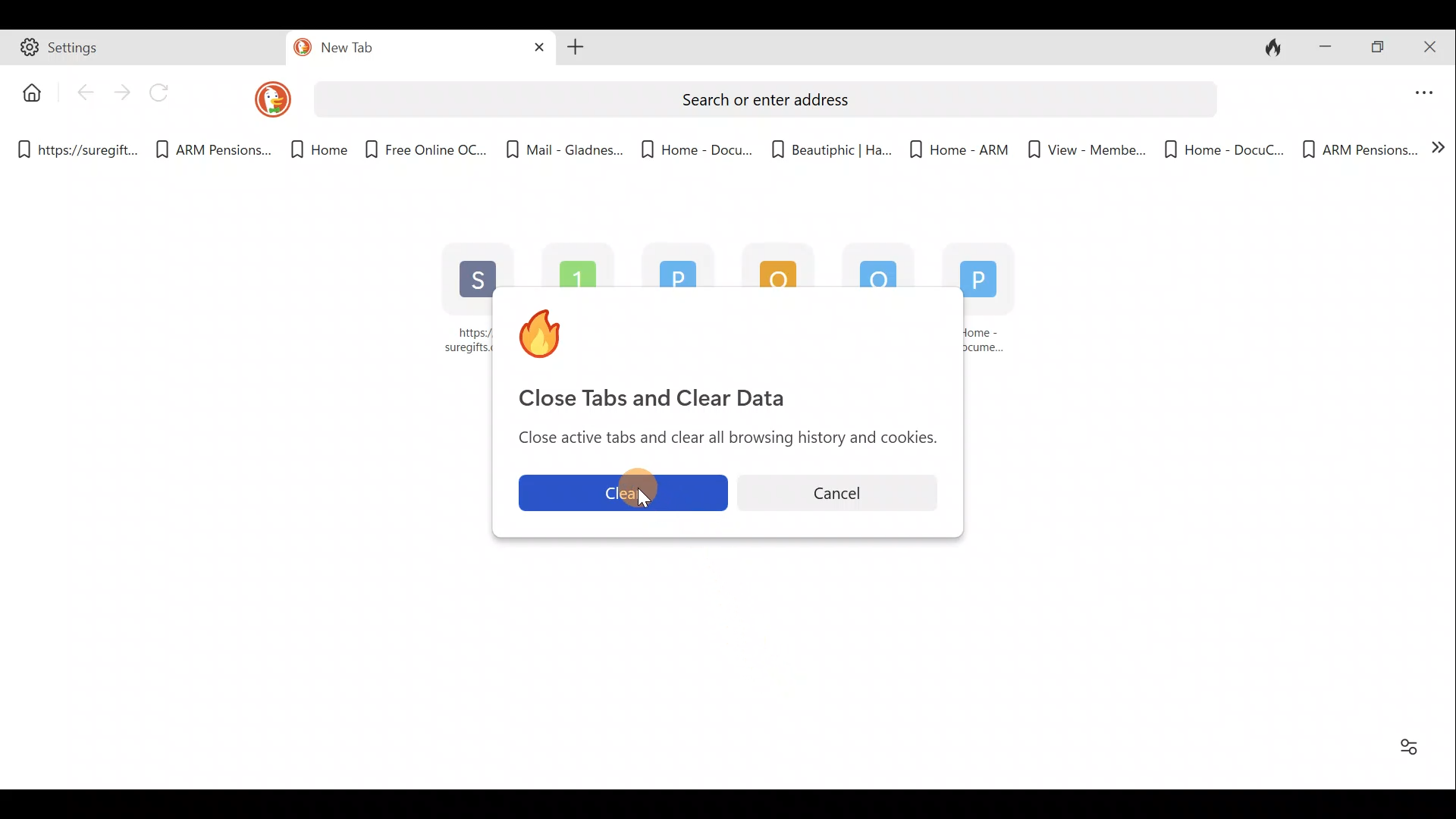 The image size is (1456, 819). Describe the element at coordinates (721, 440) in the screenshot. I see `Close active tabs and clear all browsing history and cookies` at that location.